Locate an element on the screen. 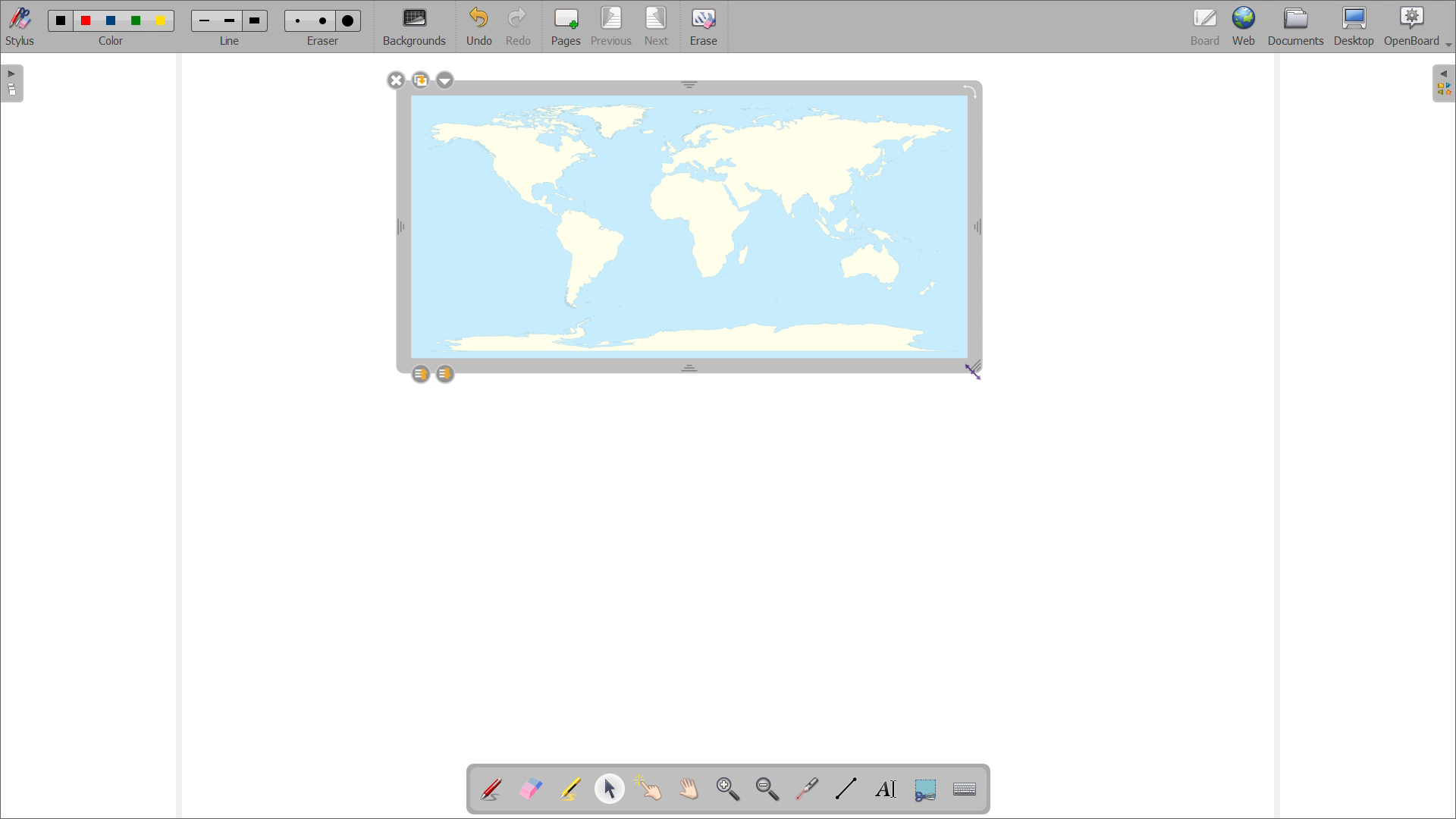  write text is located at coordinates (886, 789).